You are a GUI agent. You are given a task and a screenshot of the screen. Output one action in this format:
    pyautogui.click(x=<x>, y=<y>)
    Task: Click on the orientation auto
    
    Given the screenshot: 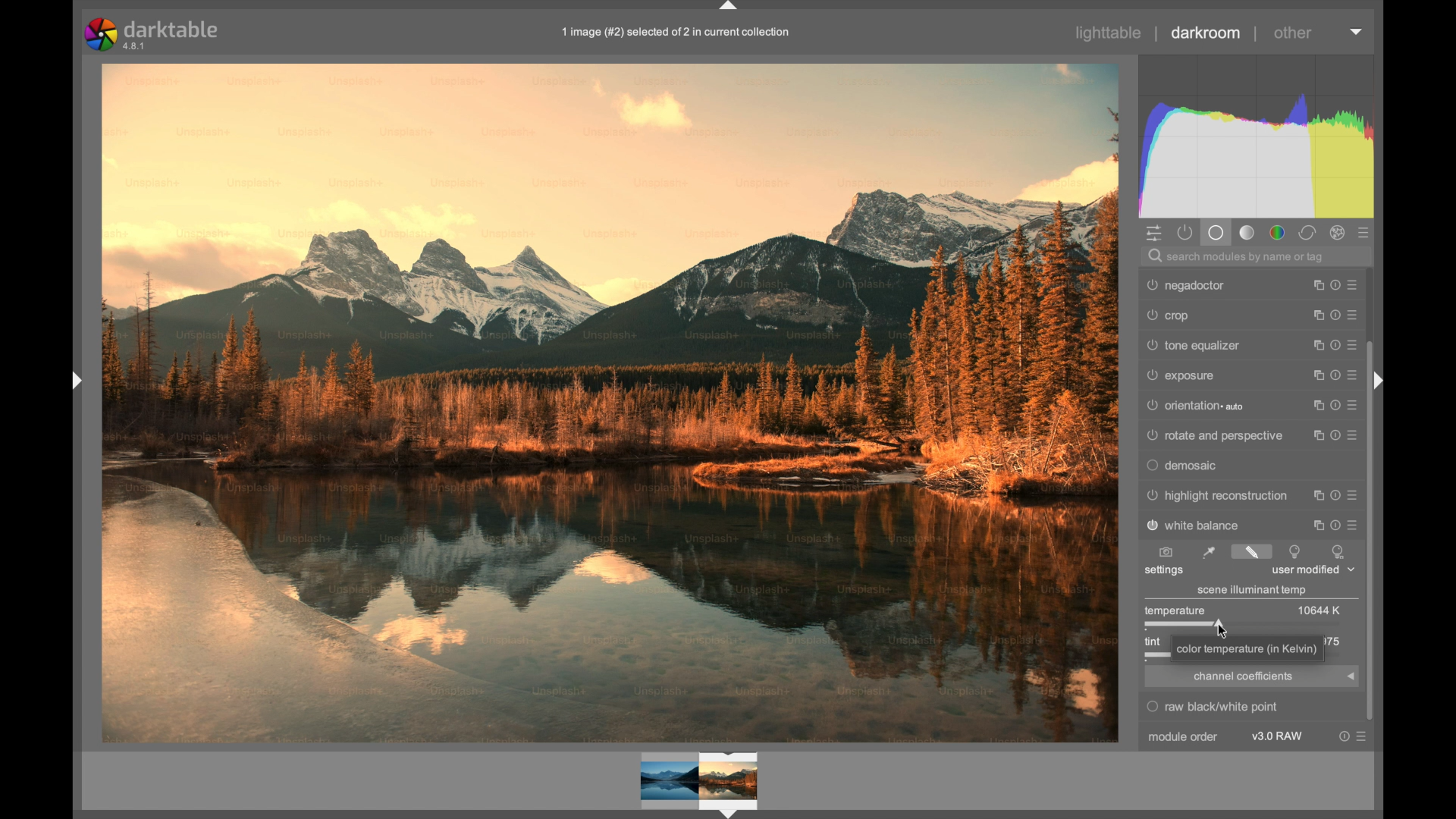 What is the action you would take?
    pyautogui.click(x=1194, y=407)
    